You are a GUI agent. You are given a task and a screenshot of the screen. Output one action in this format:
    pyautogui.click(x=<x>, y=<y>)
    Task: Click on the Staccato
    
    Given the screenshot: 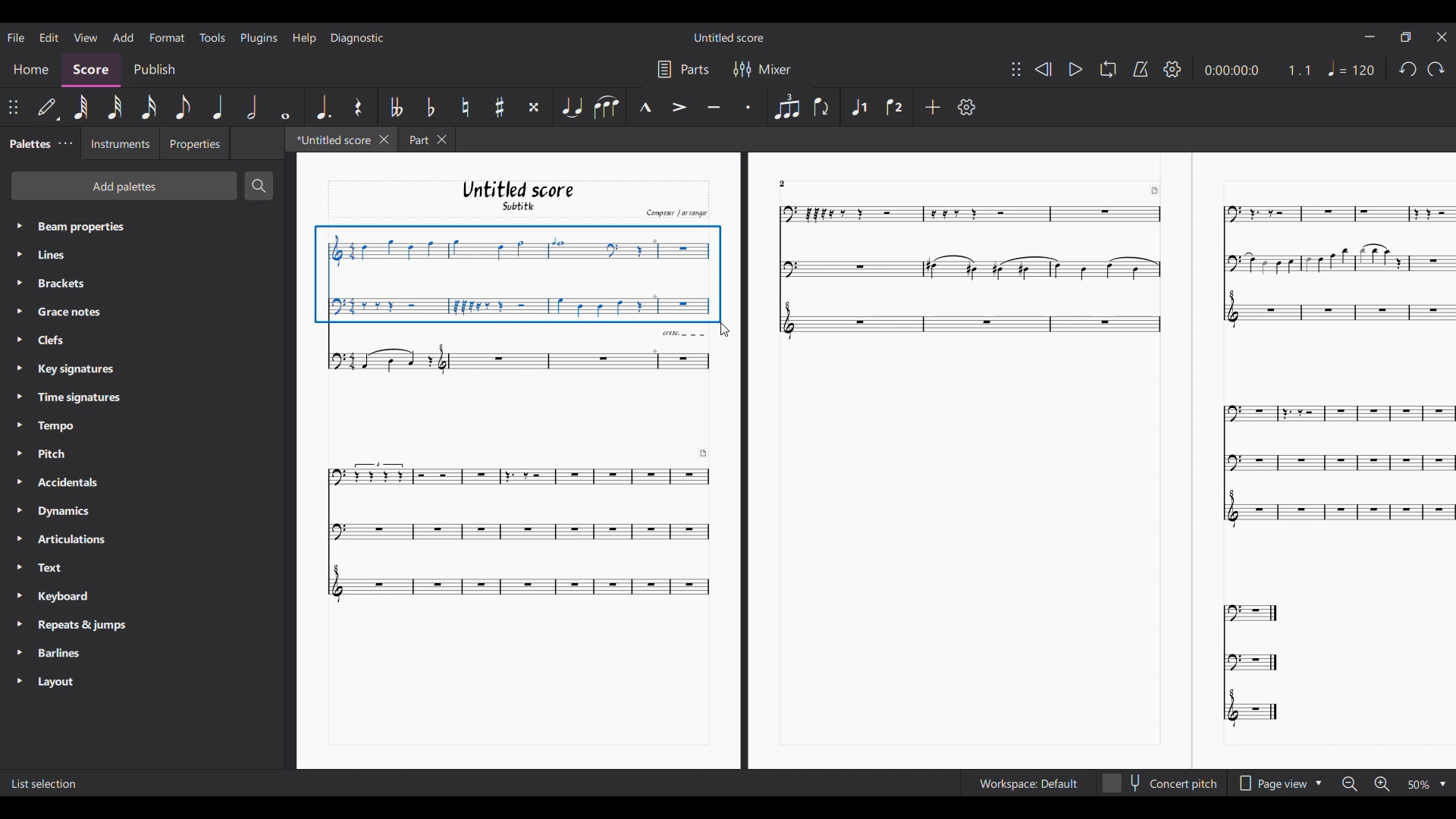 What is the action you would take?
    pyautogui.click(x=747, y=106)
    